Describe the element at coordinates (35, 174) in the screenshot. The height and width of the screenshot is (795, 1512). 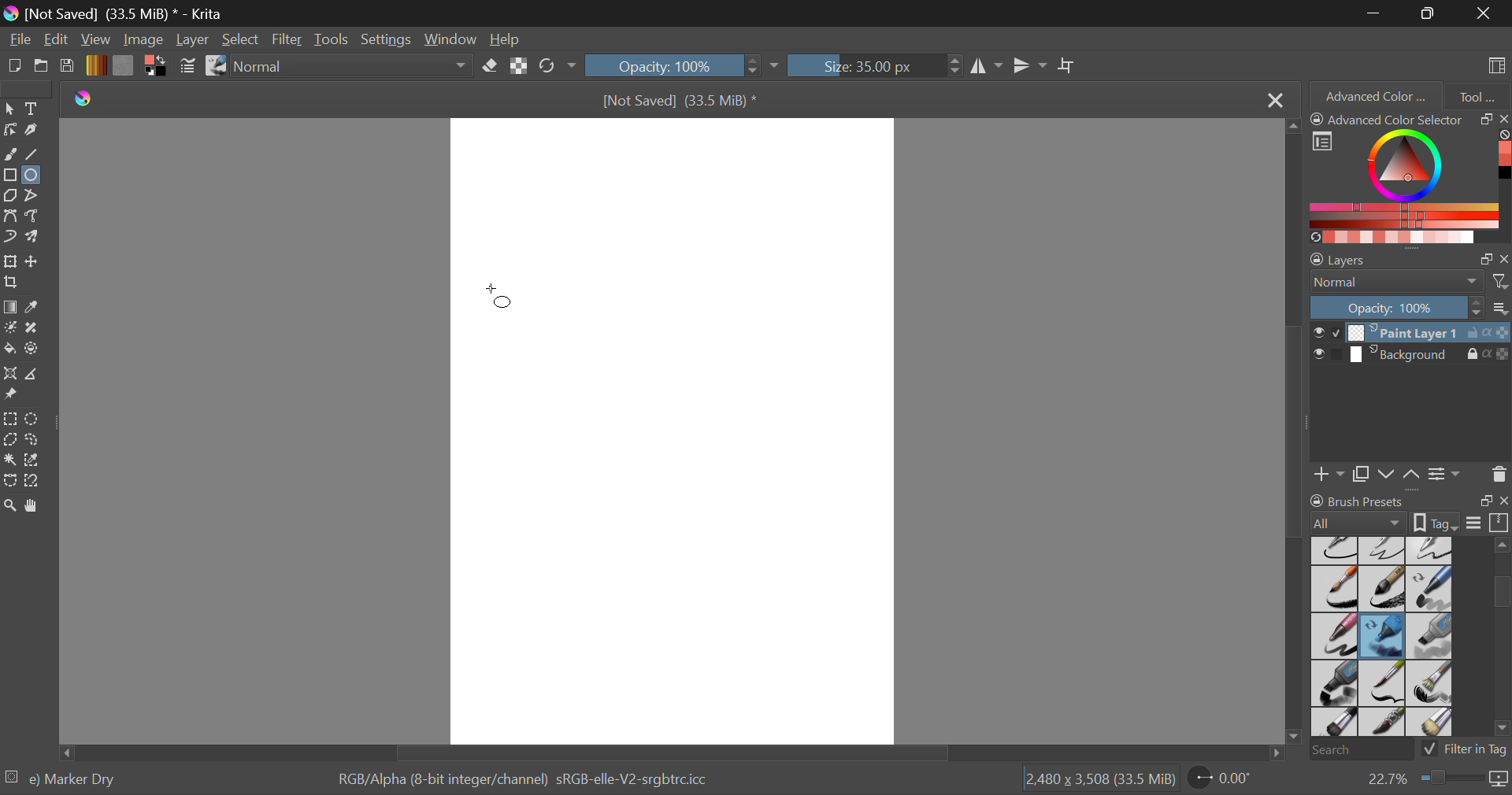
I see `Elipses Selected` at that location.